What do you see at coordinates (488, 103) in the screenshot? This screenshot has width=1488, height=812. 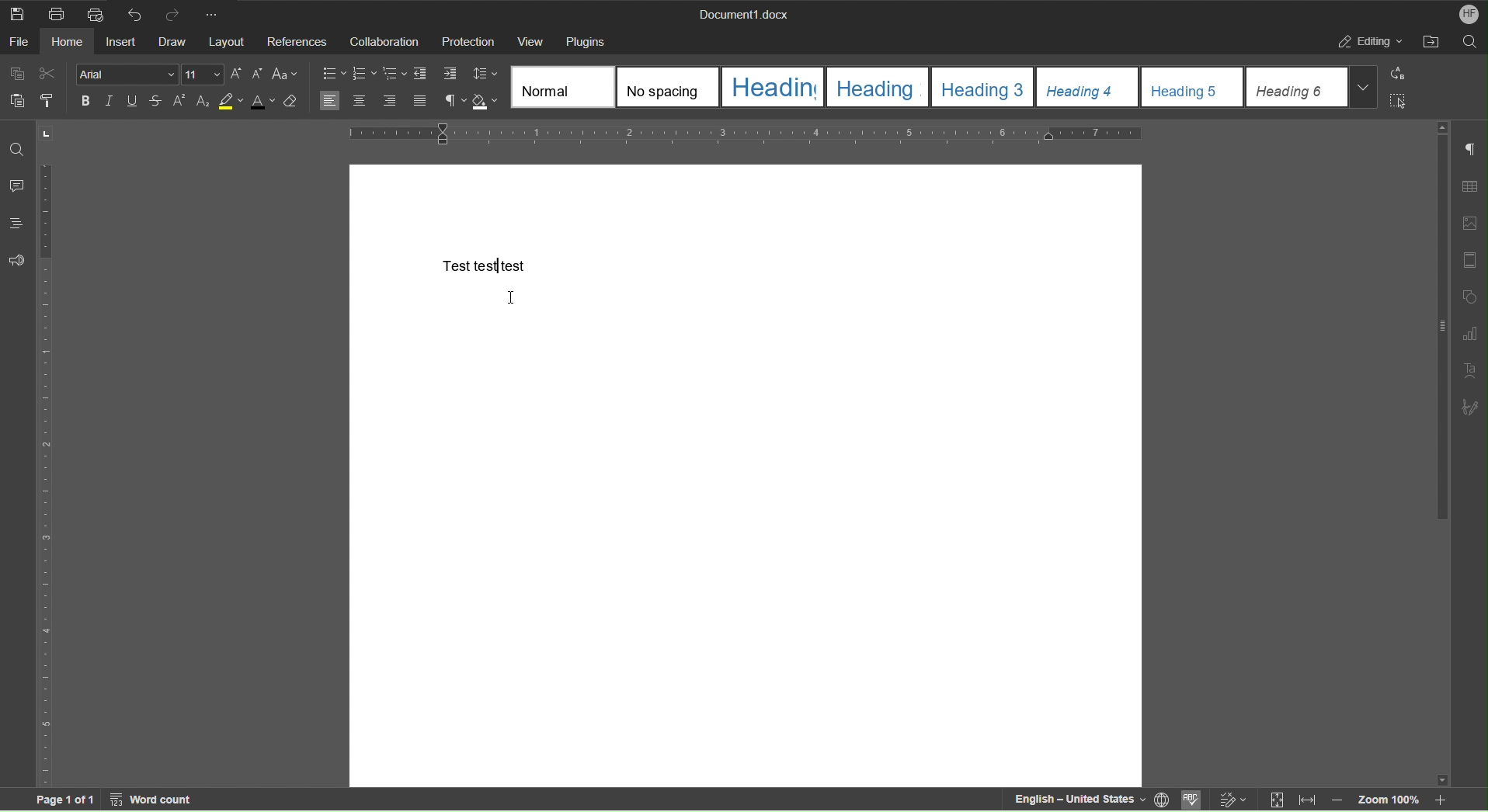 I see `Shadow` at bounding box center [488, 103].